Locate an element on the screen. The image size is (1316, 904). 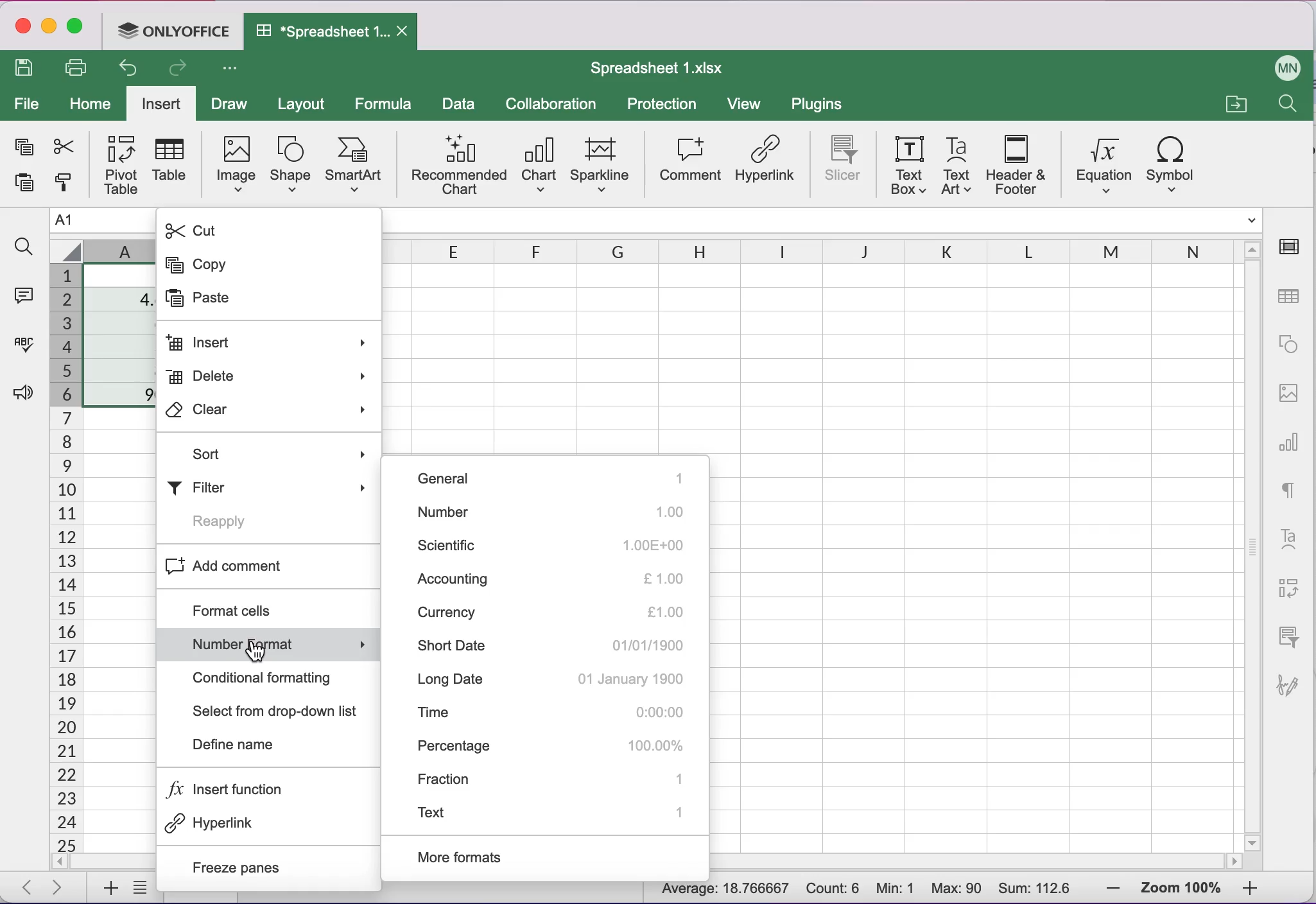
Select from drop-down list is located at coordinates (277, 711).